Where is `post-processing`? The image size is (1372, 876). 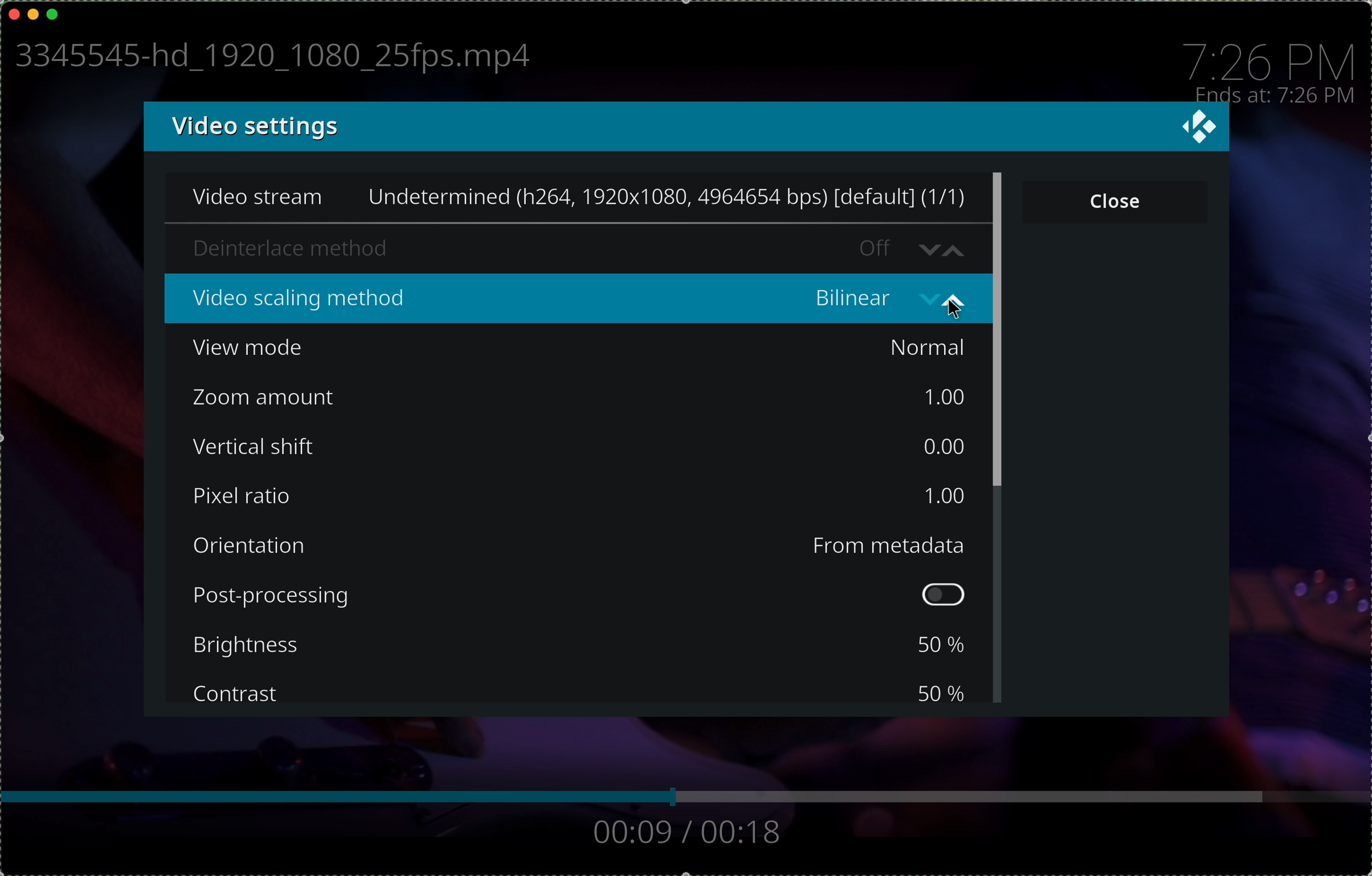 post-processing is located at coordinates (586, 596).